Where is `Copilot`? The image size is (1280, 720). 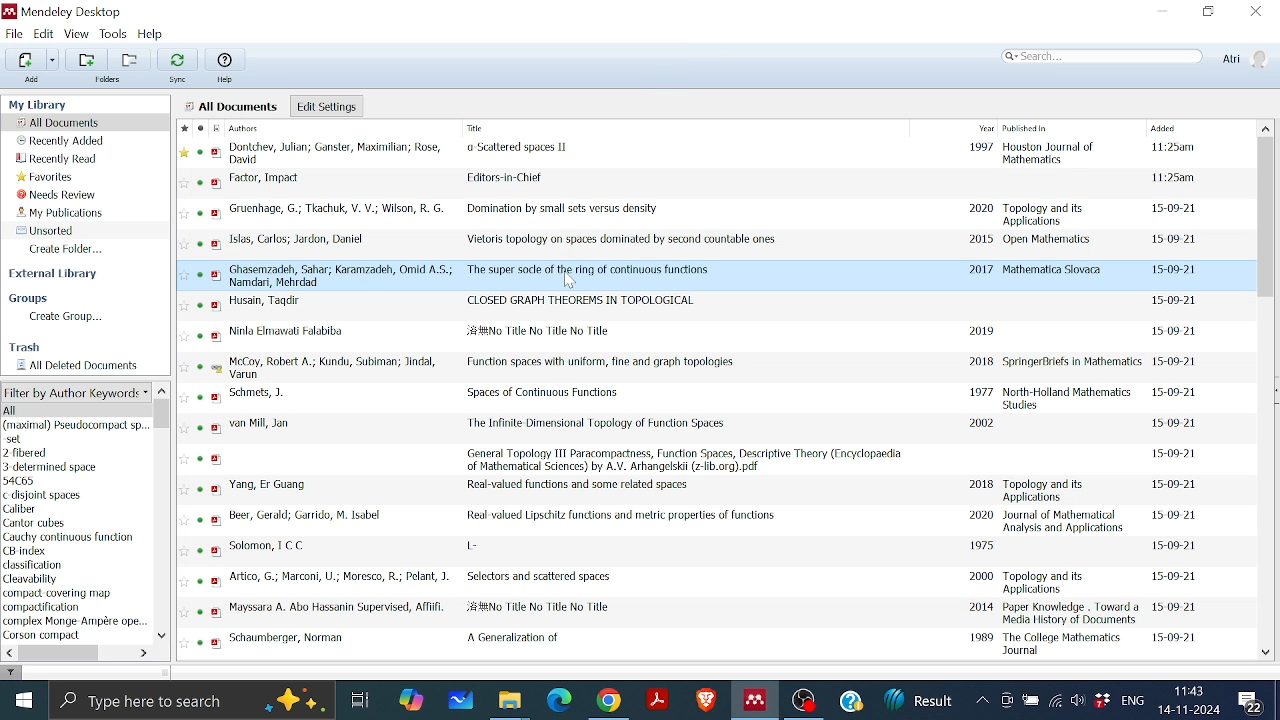
Copilot is located at coordinates (414, 699).